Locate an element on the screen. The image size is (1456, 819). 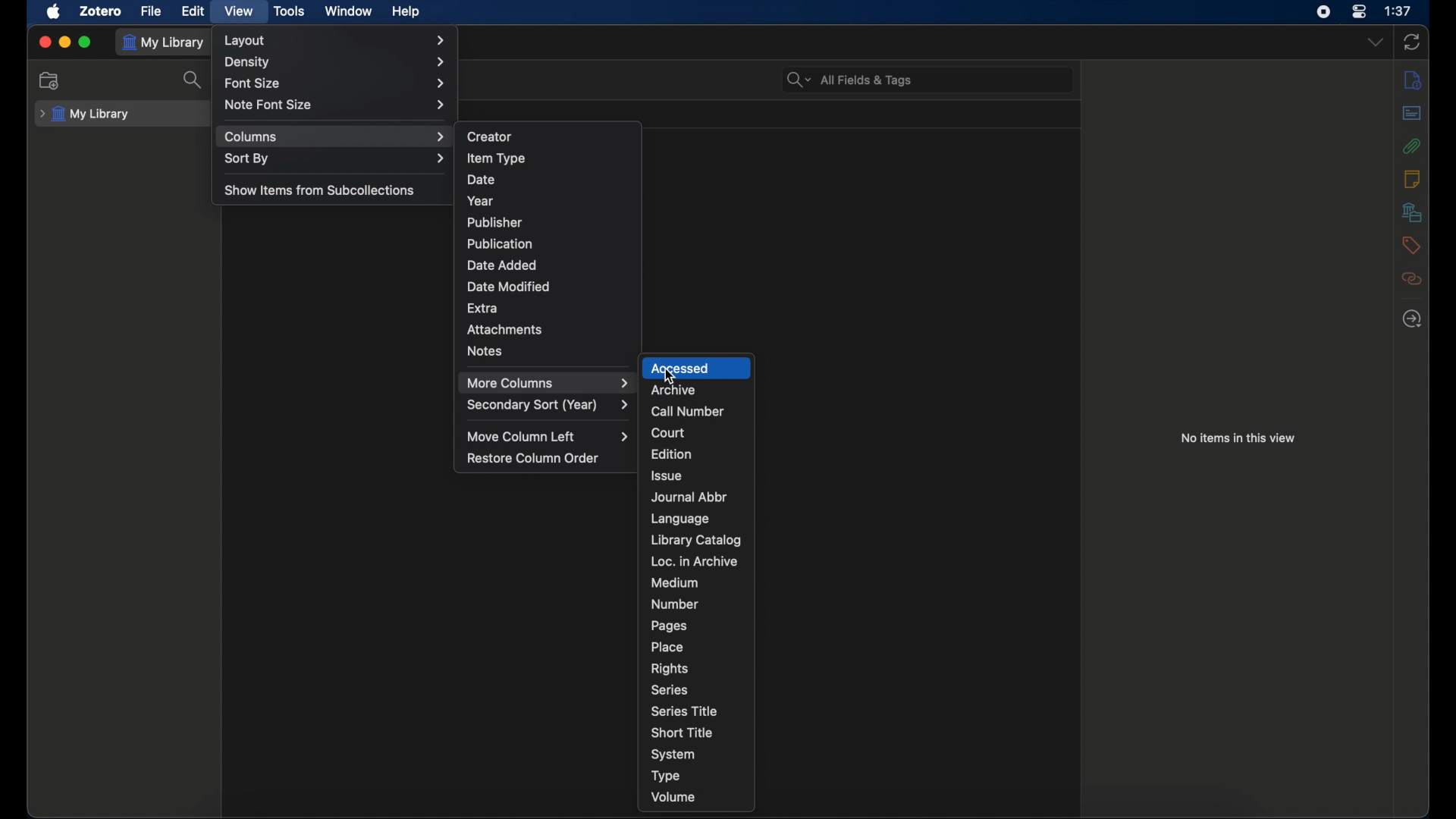
tags is located at coordinates (1411, 246).